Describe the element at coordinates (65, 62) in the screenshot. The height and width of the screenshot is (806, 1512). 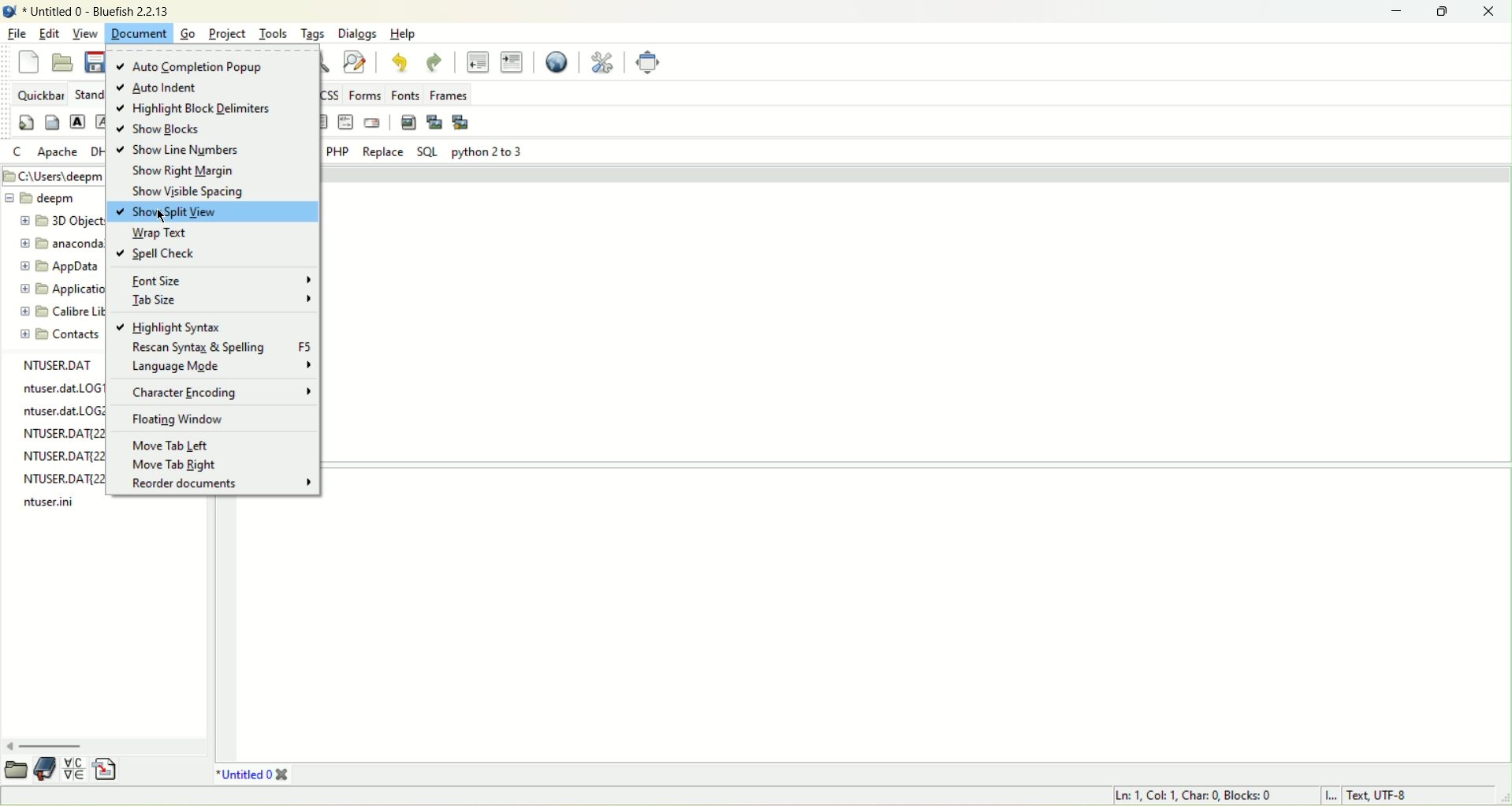
I see `open file` at that location.